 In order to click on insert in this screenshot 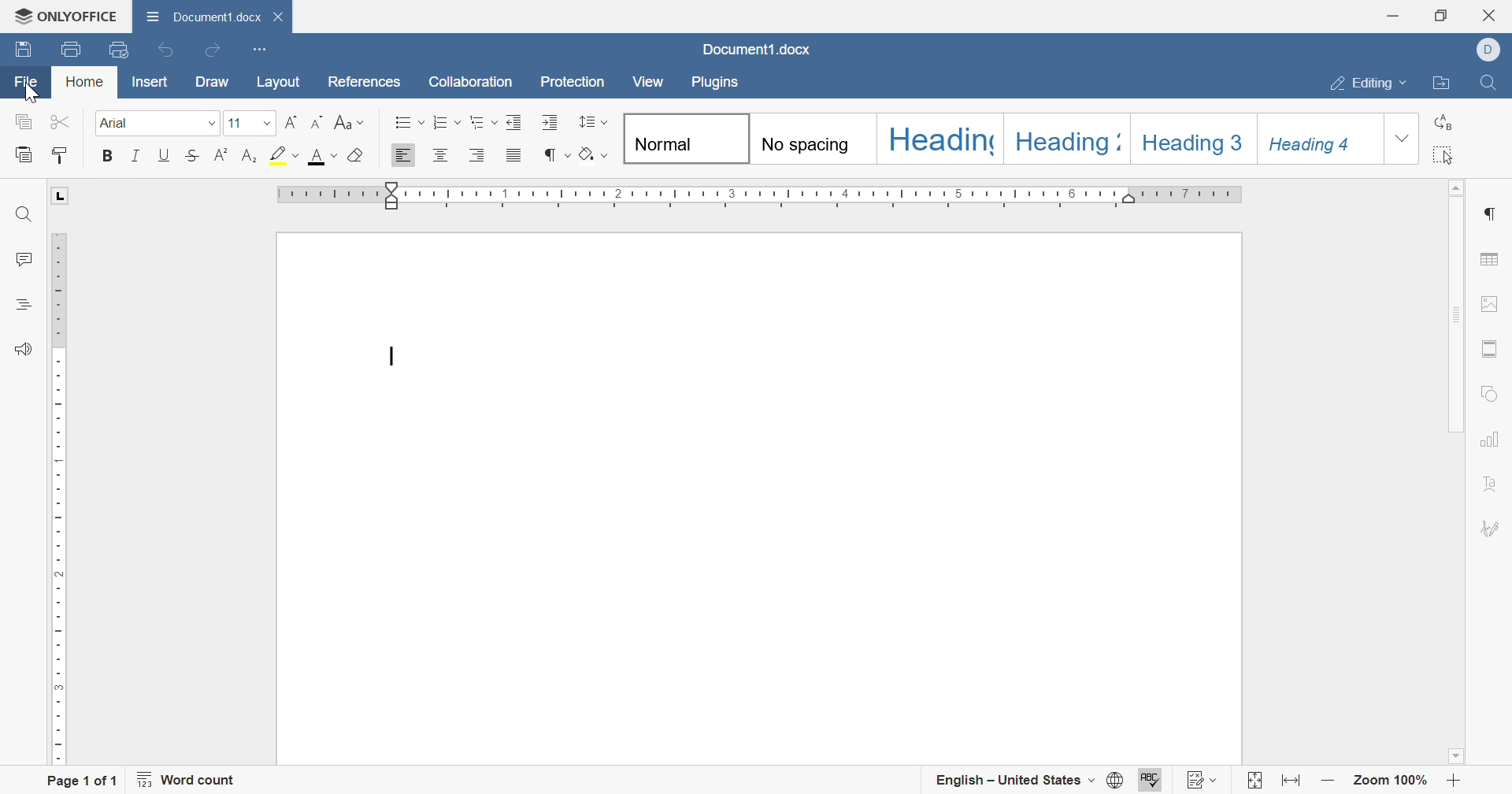, I will do `click(156, 83)`.